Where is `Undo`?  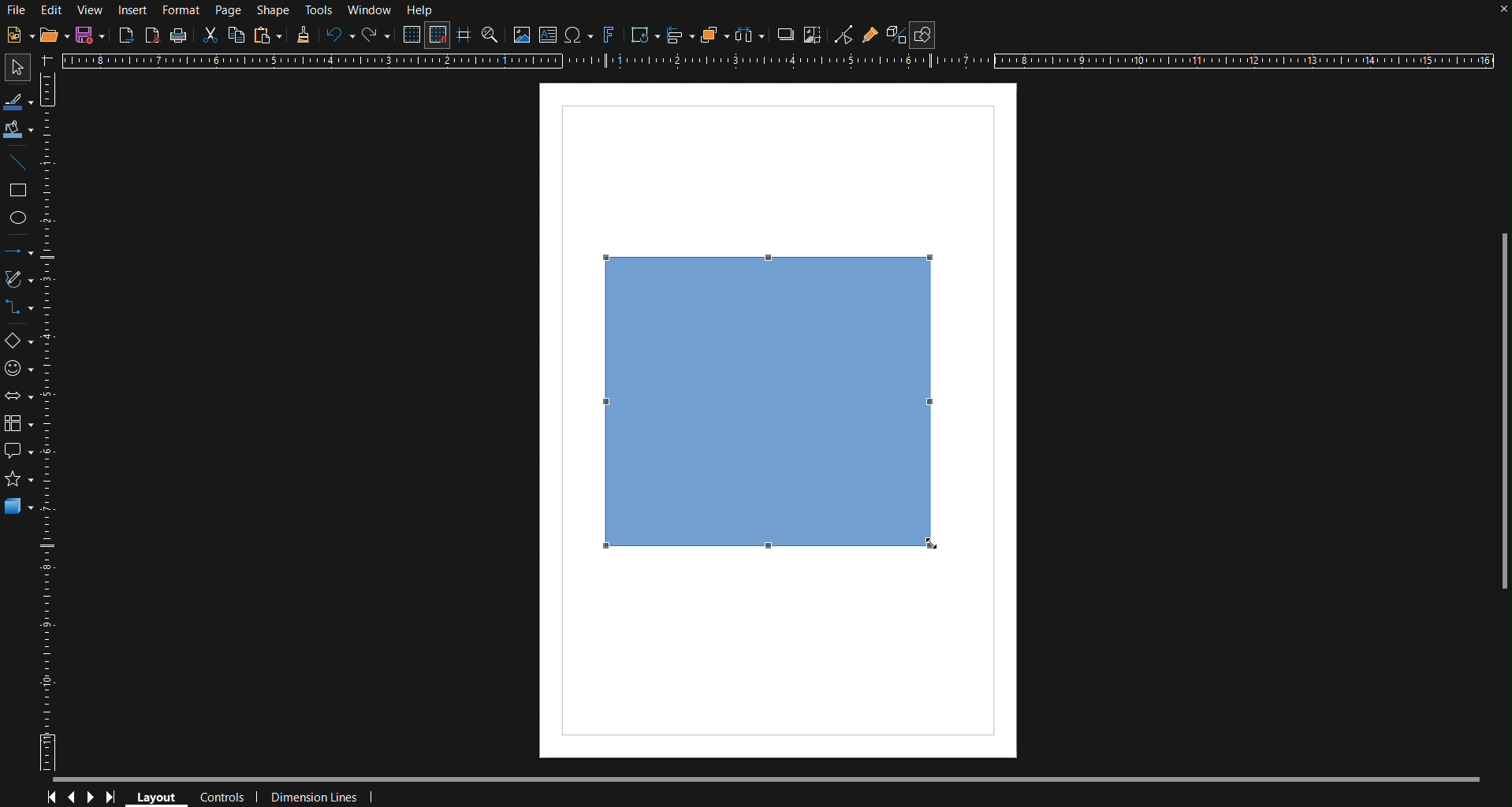
Undo is located at coordinates (337, 35).